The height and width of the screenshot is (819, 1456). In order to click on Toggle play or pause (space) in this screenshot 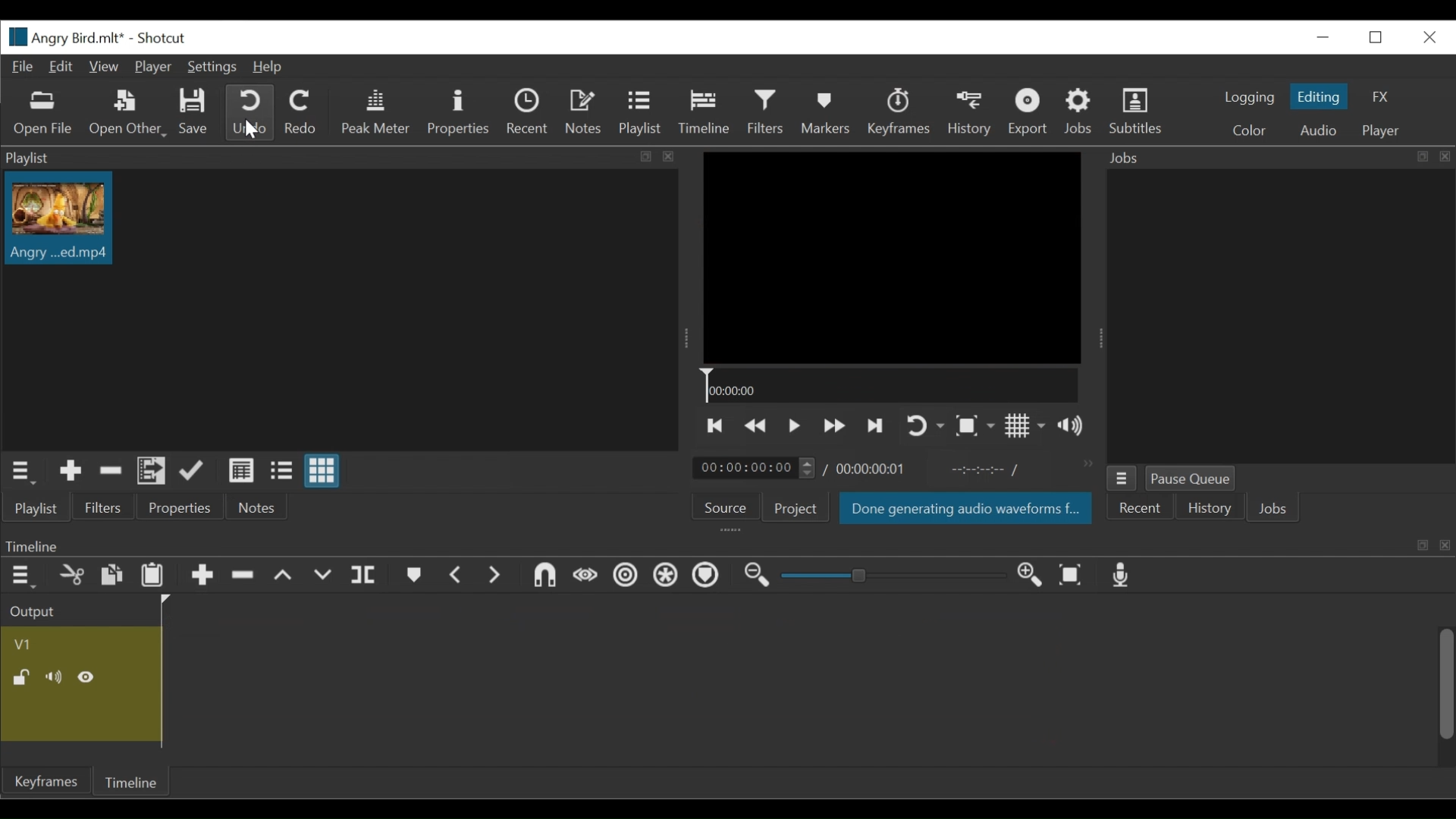, I will do `click(793, 425)`.